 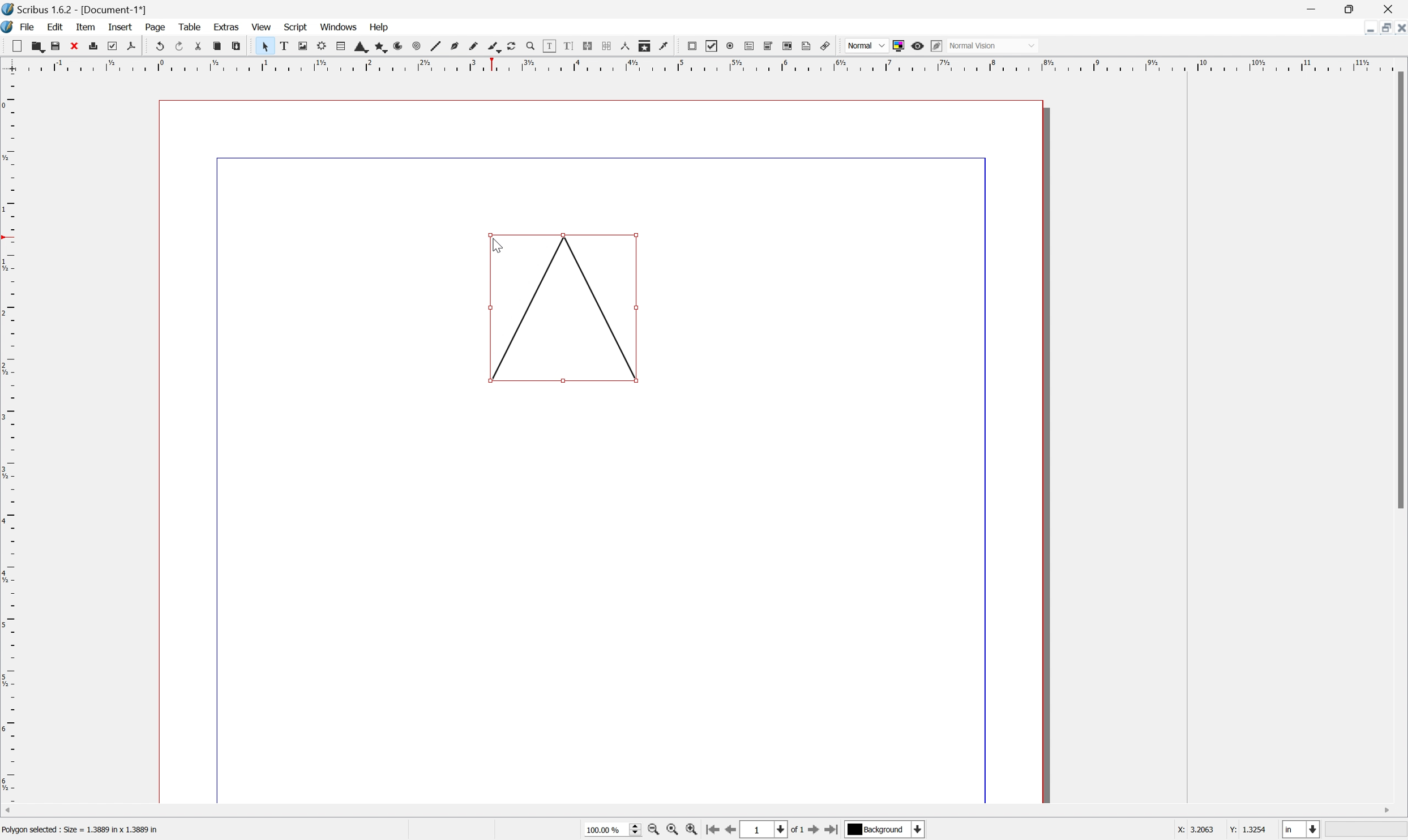 I want to click on Close, so click(x=1399, y=29).